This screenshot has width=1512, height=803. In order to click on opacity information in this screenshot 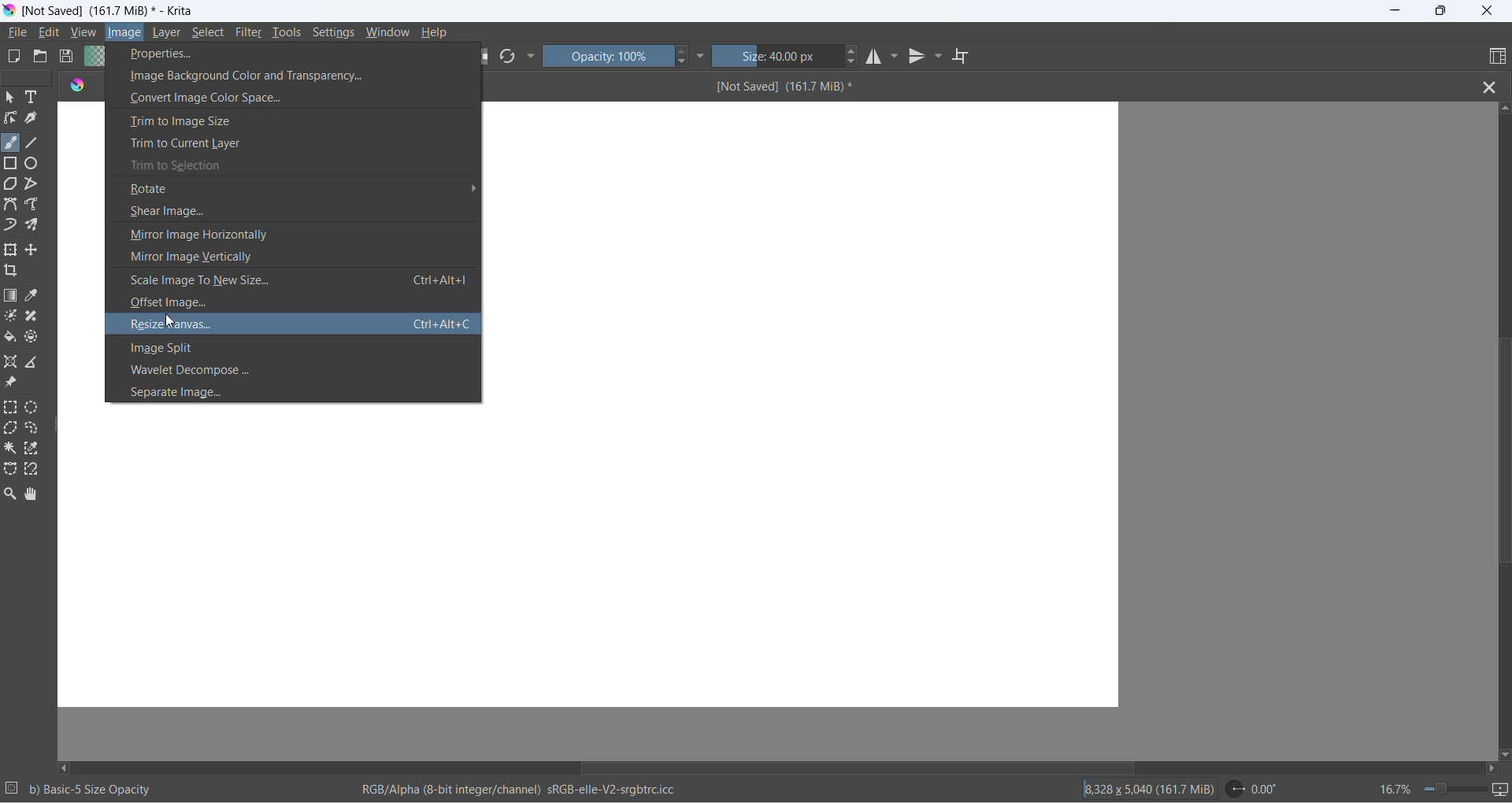, I will do `click(92, 790)`.